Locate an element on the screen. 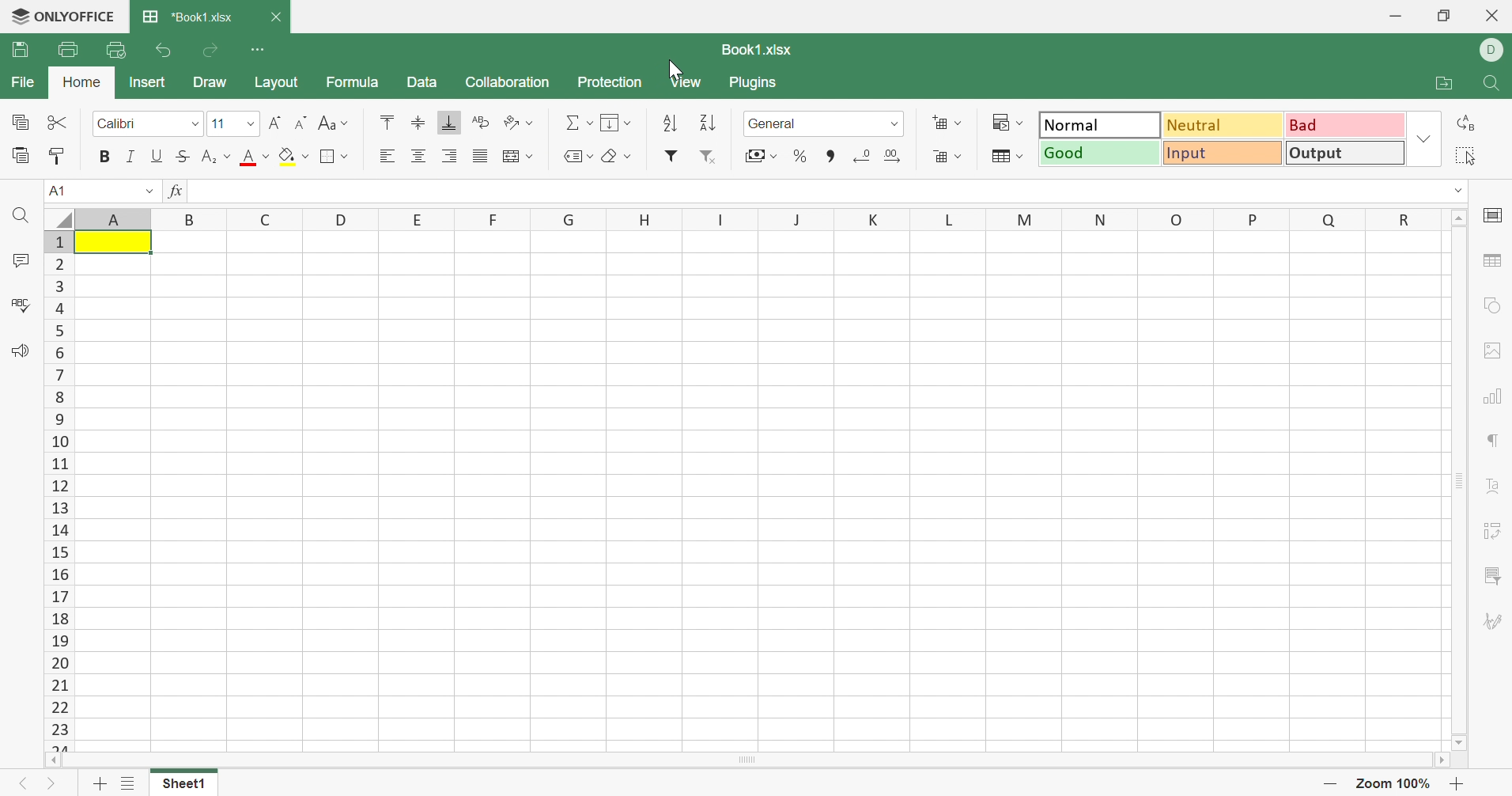  Fill color is located at coordinates (342, 184).